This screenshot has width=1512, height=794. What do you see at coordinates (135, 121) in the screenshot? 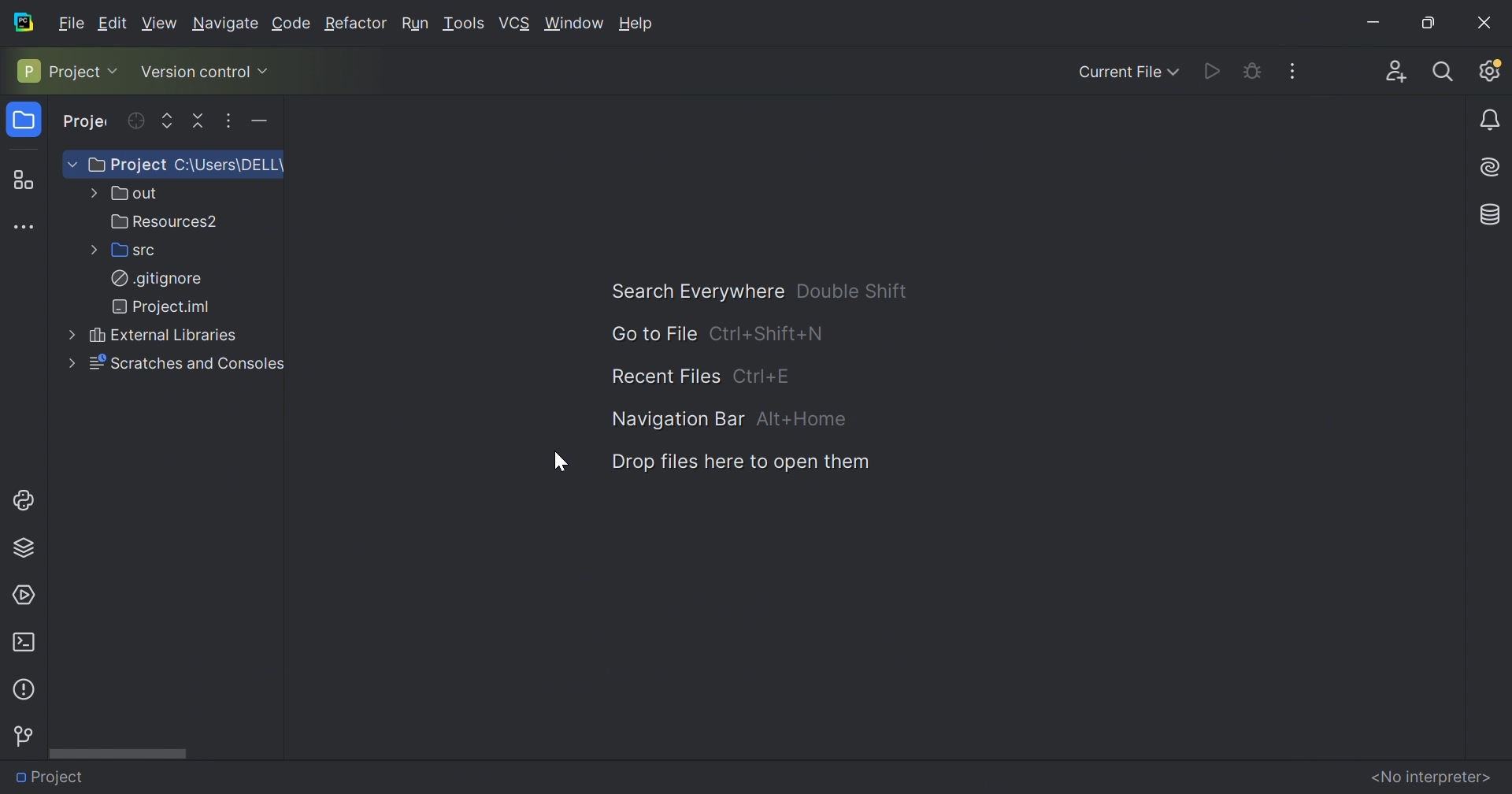
I see `Select opened file` at bounding box center [135, 121].